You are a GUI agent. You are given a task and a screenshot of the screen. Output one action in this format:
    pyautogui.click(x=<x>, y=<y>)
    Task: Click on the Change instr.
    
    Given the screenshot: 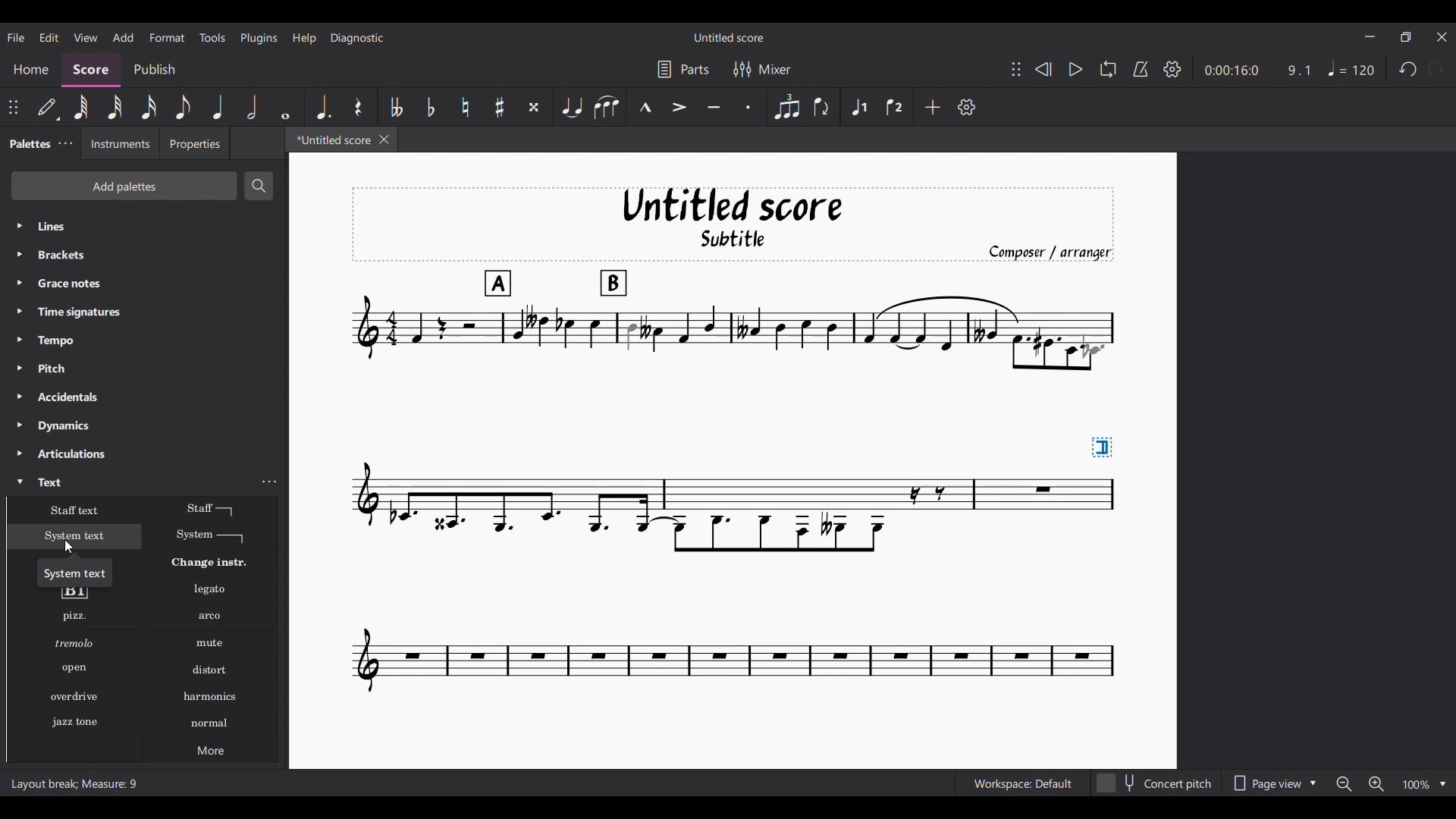 What is the action you would take?
    pyautogui.click(x=209, y=563)
    